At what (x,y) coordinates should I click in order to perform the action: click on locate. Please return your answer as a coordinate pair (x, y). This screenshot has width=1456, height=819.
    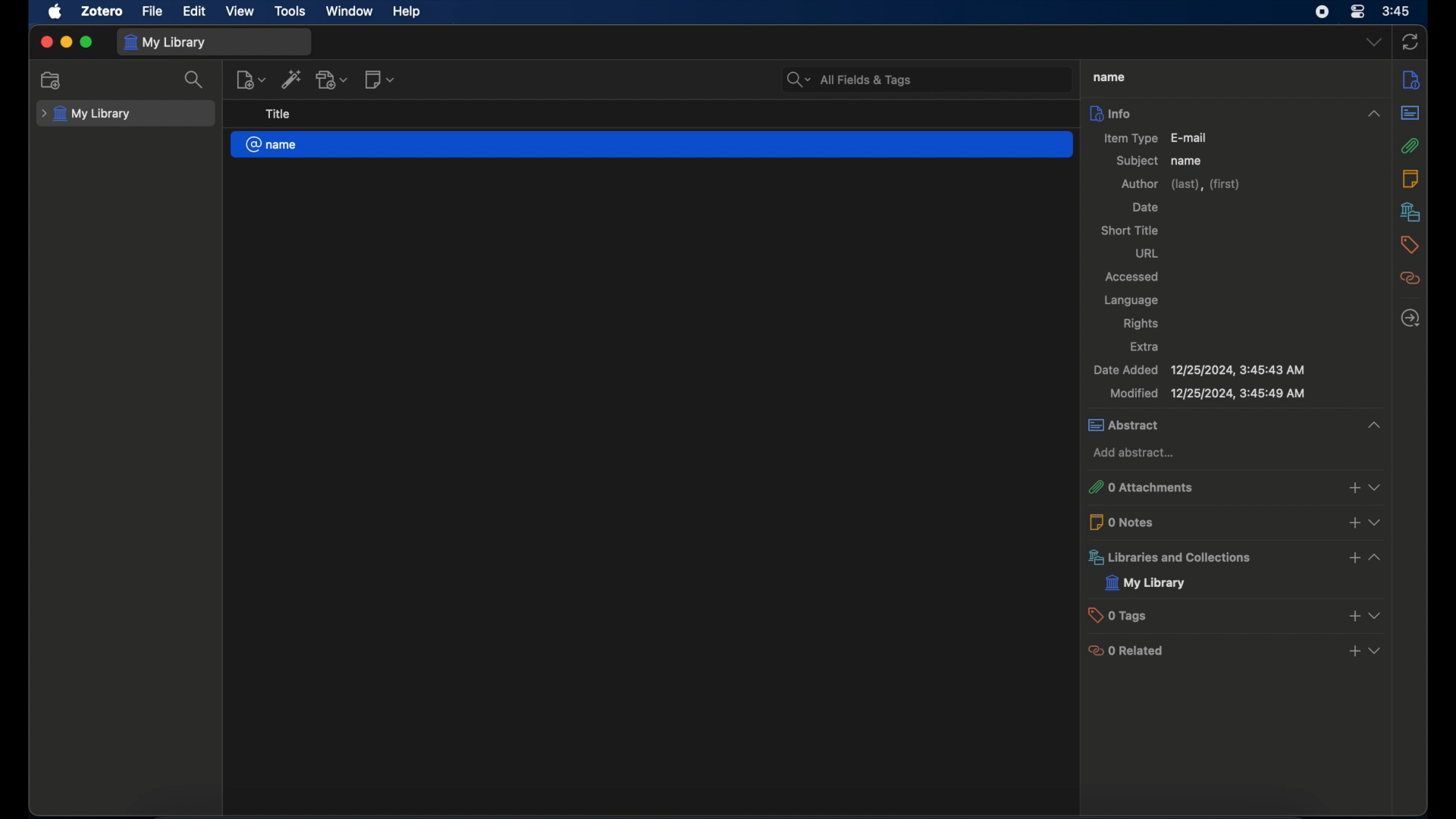
    Looking at the image, I should click on (1409, 318).